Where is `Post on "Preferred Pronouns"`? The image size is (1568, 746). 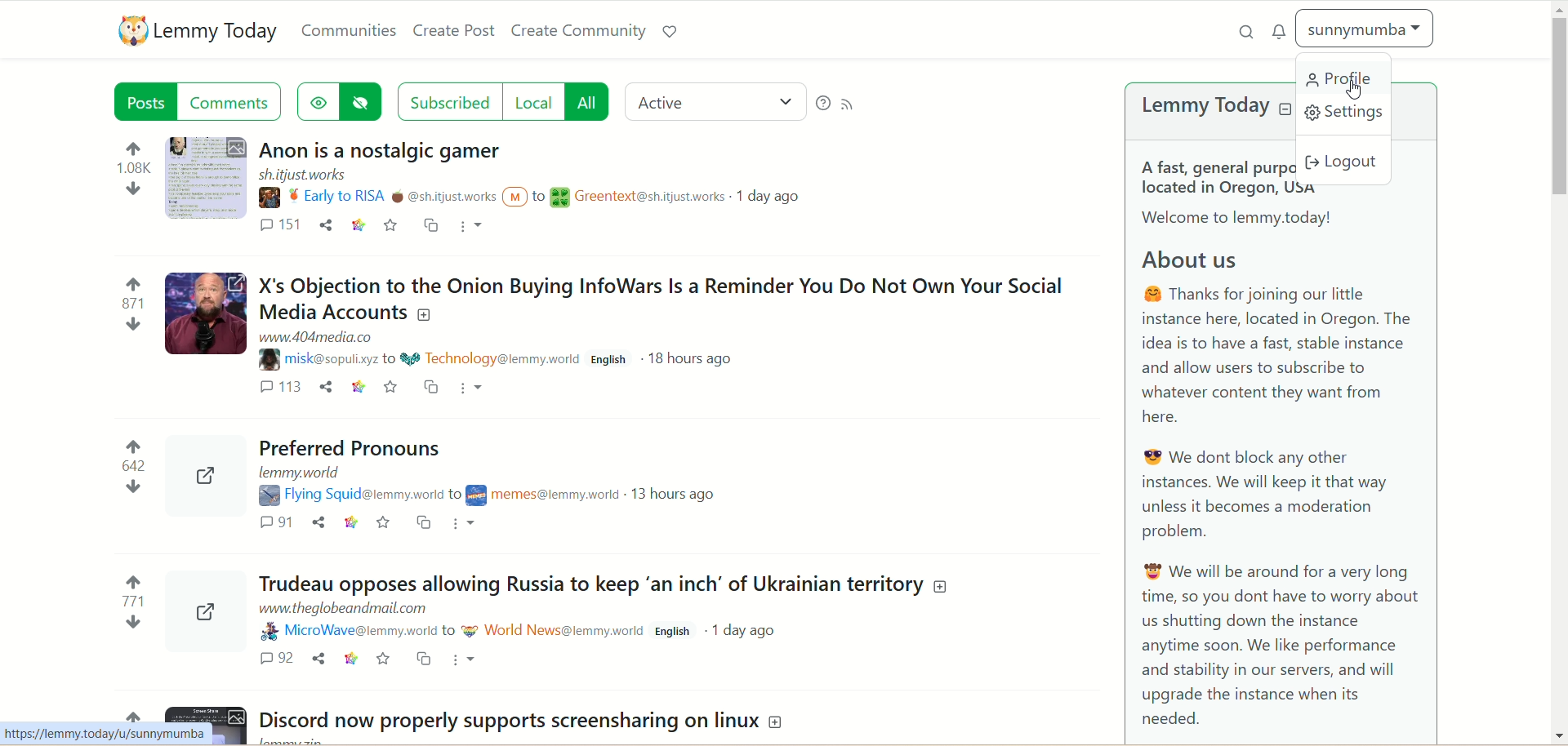
Post on "Preferred Pronouns" is located at coordinates (348, 447).